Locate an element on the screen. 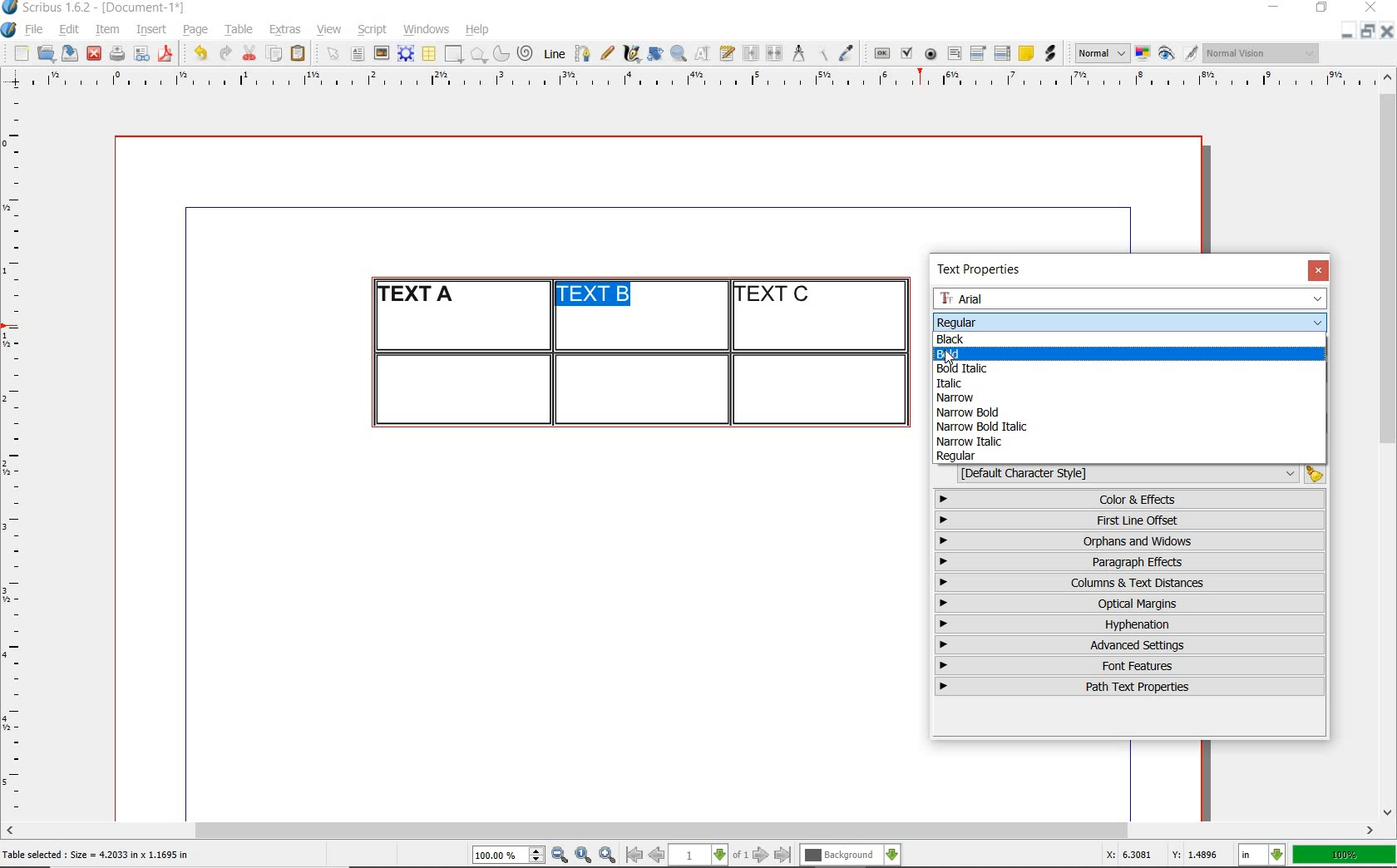 The width and height of the screenshot is (1397, 868). save is located at coordinates (67, 53).